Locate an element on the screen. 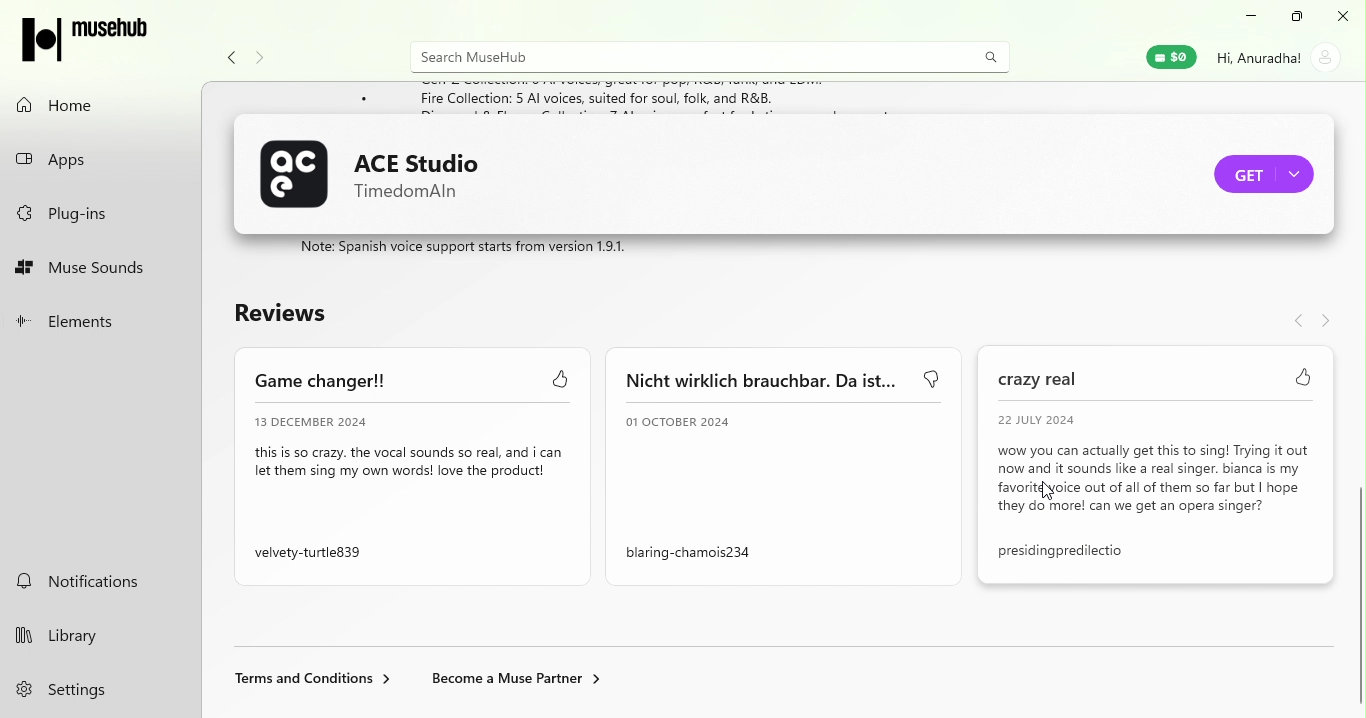 This screenshot has width=1366, height=718. close is located at coordinates (1346, 17).